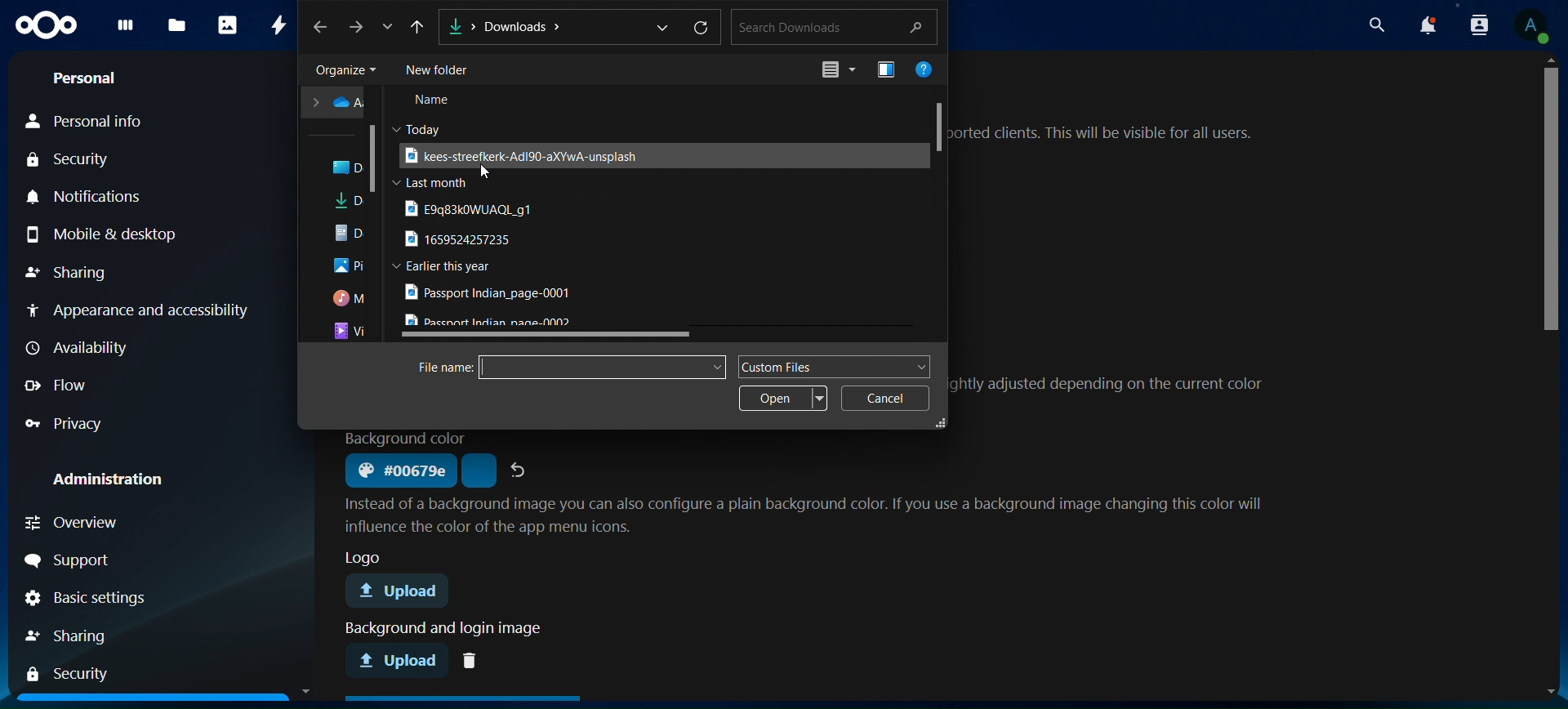 The image size is (1568, 709). Describe the element at coordinates (136, 309) in the screenshot. I see `appearance and accessibility` at that location.